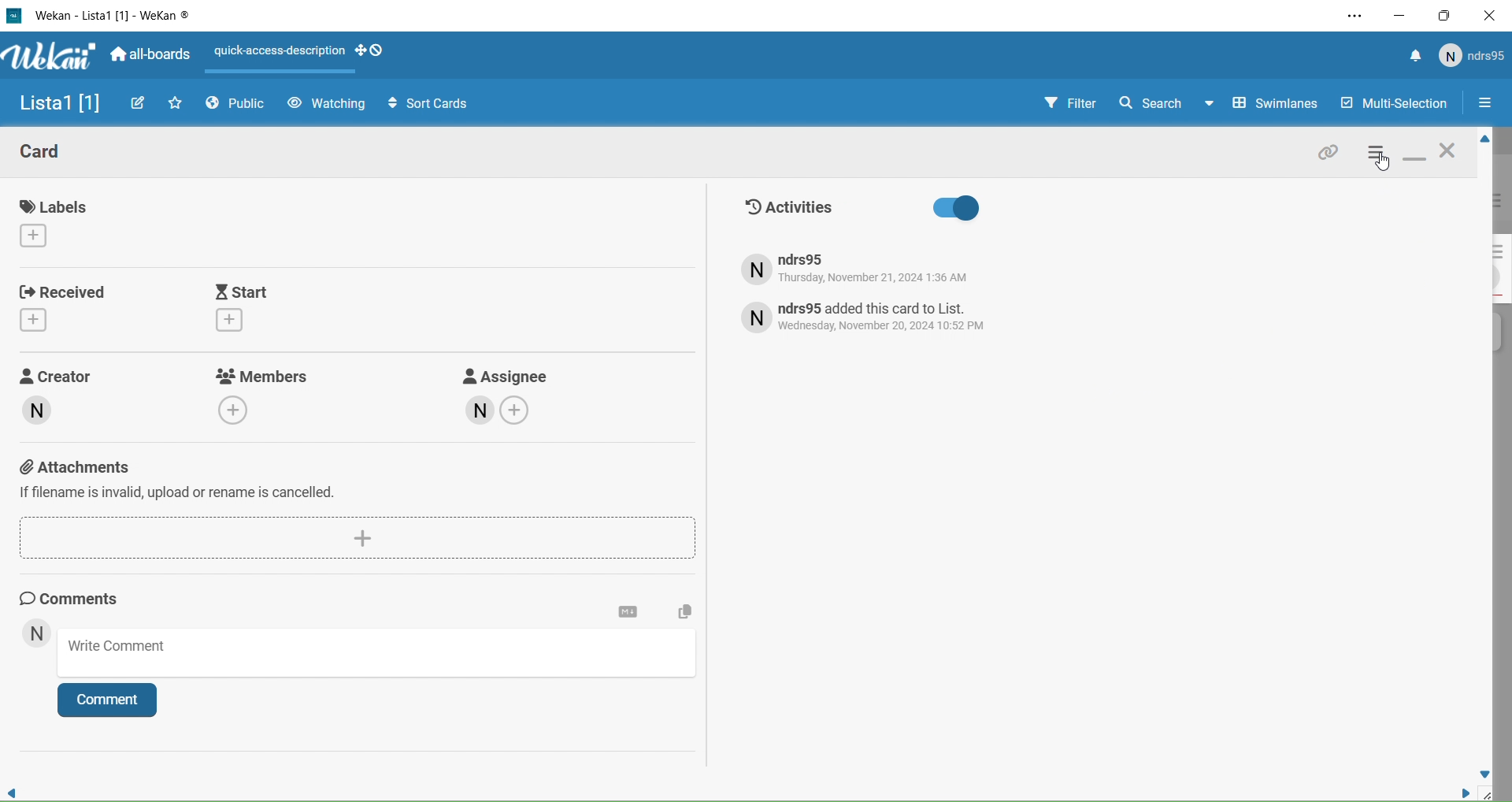 The width and height of the screenshot is (1512, 802). What do you see at coordinates (328, 105) in the screenshot?
I see `Watchin` at bounding box center [328, 105].